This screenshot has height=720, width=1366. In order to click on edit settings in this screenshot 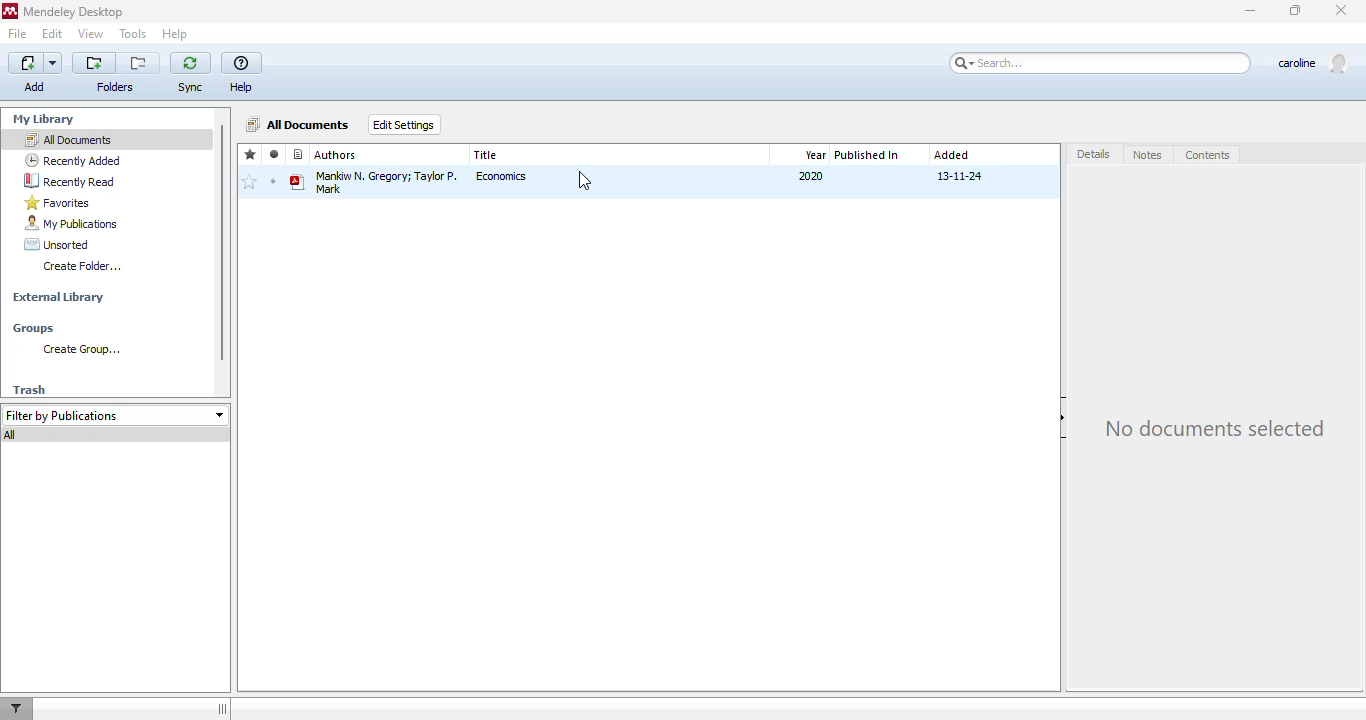, I will do `click(406, 125)`.